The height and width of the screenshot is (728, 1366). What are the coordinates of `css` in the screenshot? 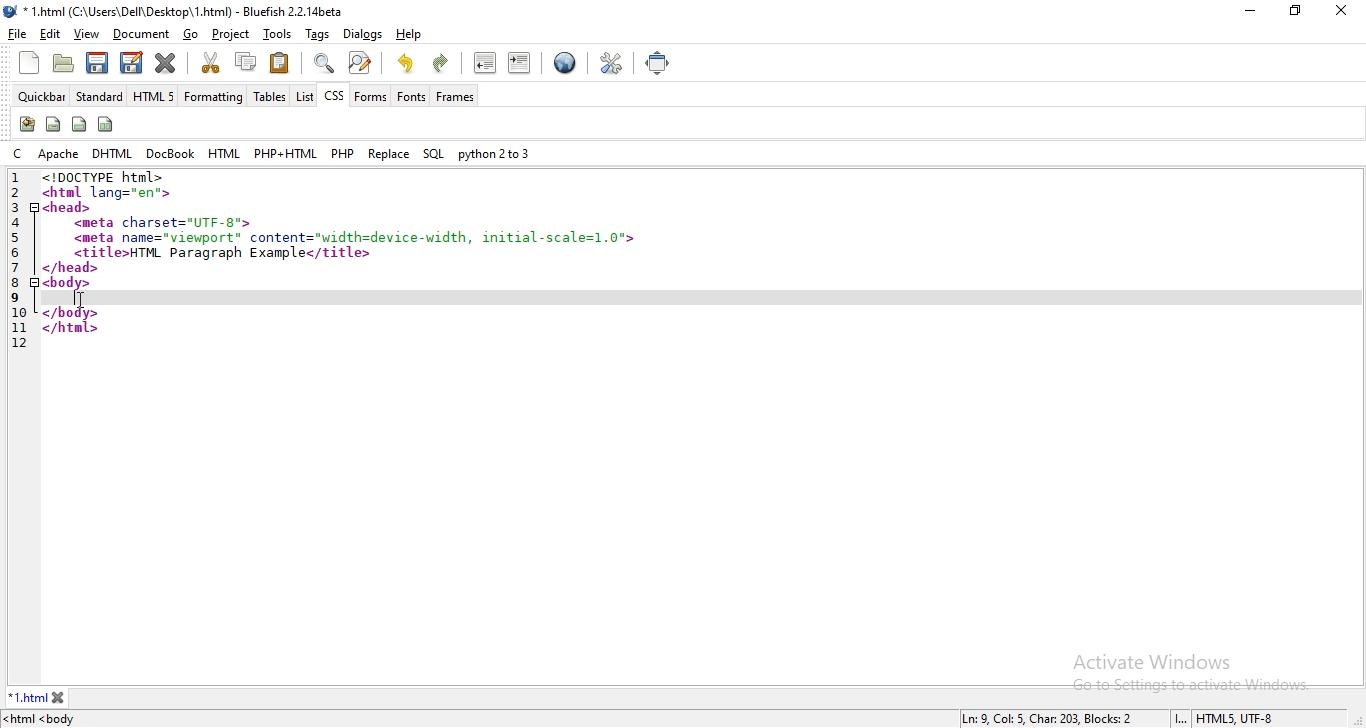 It's located at (334, 95).